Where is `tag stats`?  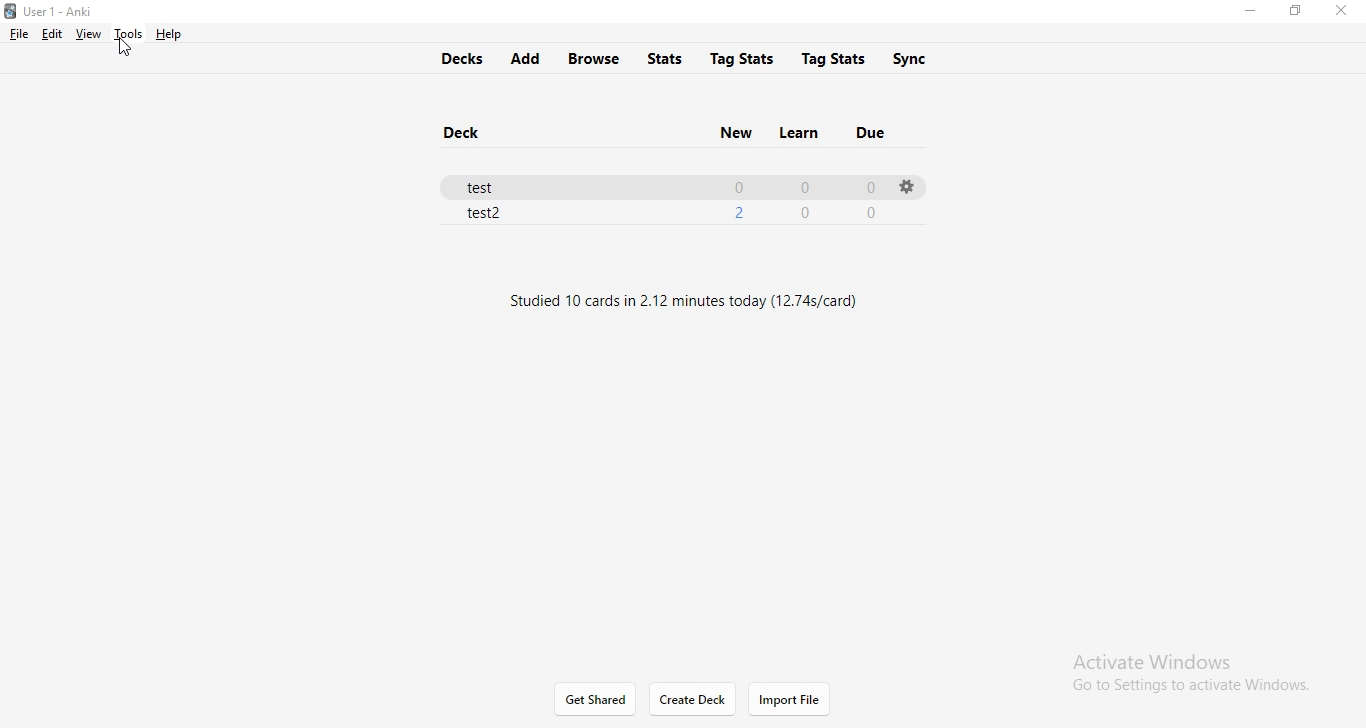
tag stats is located at coordinates (836, 58).